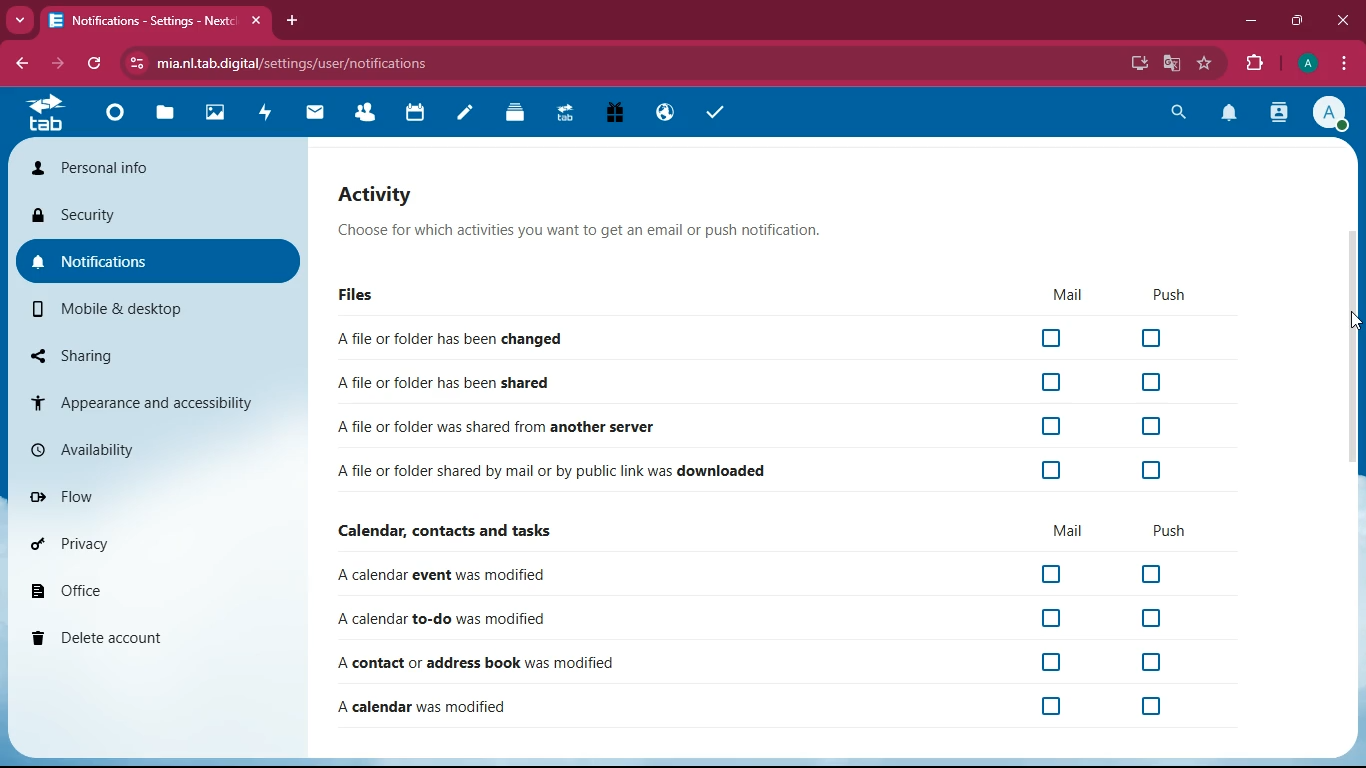 Image resolution: width=1366 pixels, height=768 pixels. I want to click on Free Trial, so click(613, 114).